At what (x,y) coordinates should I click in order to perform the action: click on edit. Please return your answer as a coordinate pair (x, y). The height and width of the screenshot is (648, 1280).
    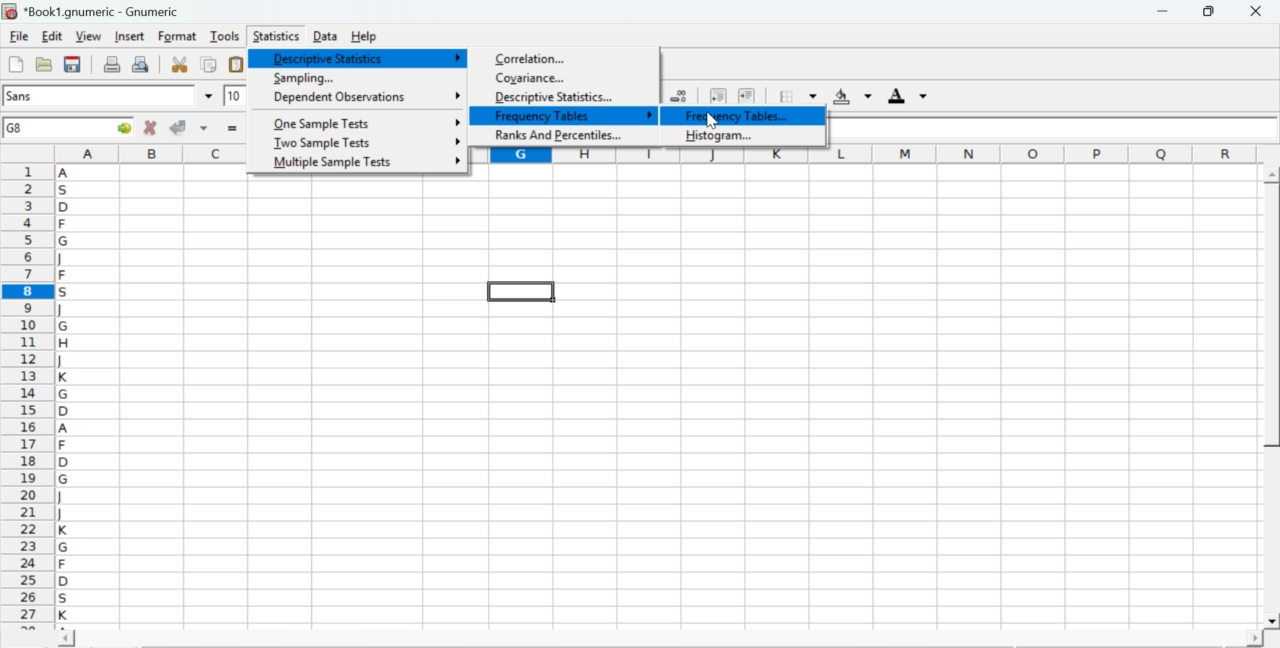
    Looking at the image, I should click on (52, 36).